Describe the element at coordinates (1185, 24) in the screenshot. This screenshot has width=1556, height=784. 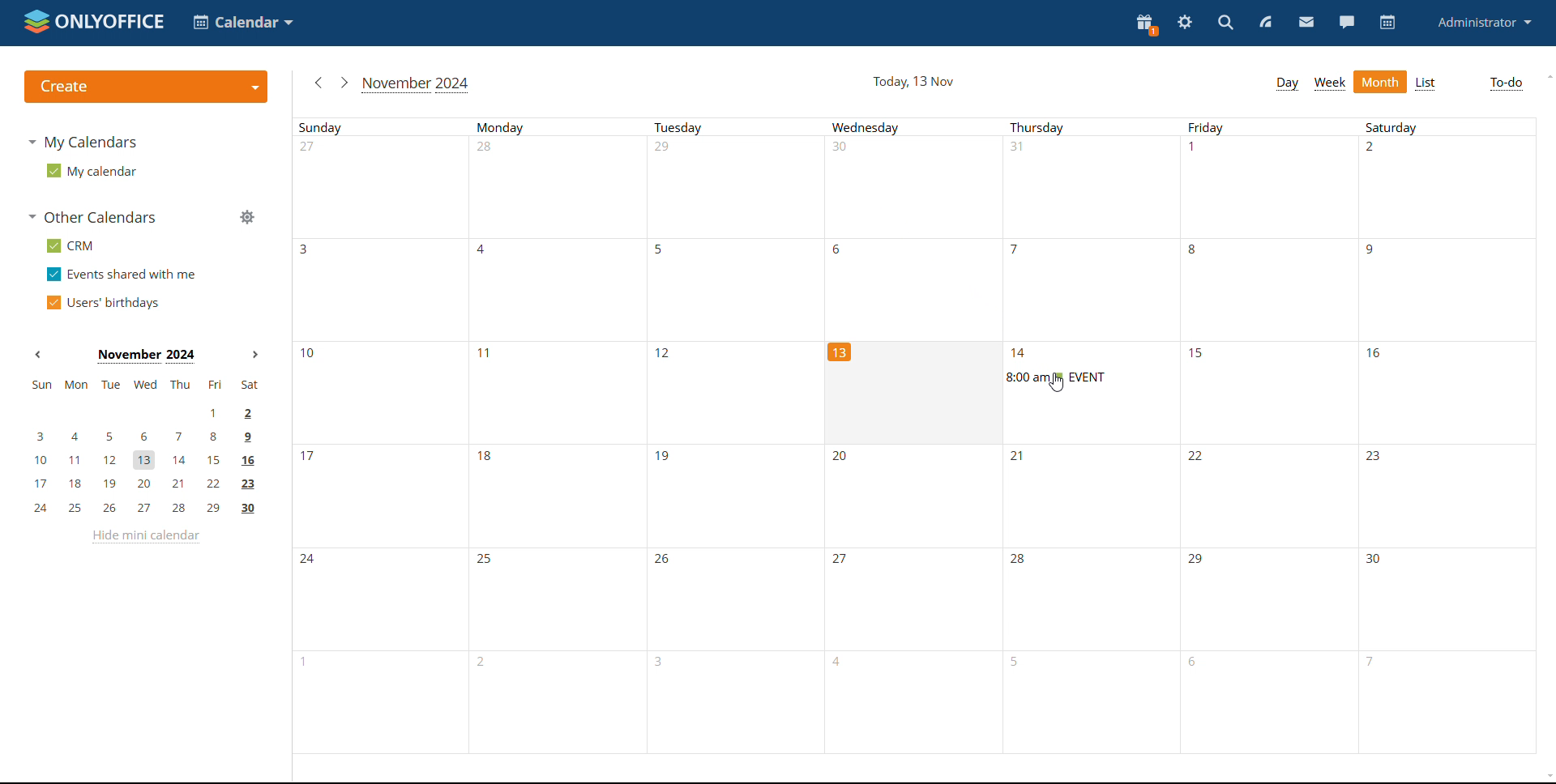
I see `settings` at that location.